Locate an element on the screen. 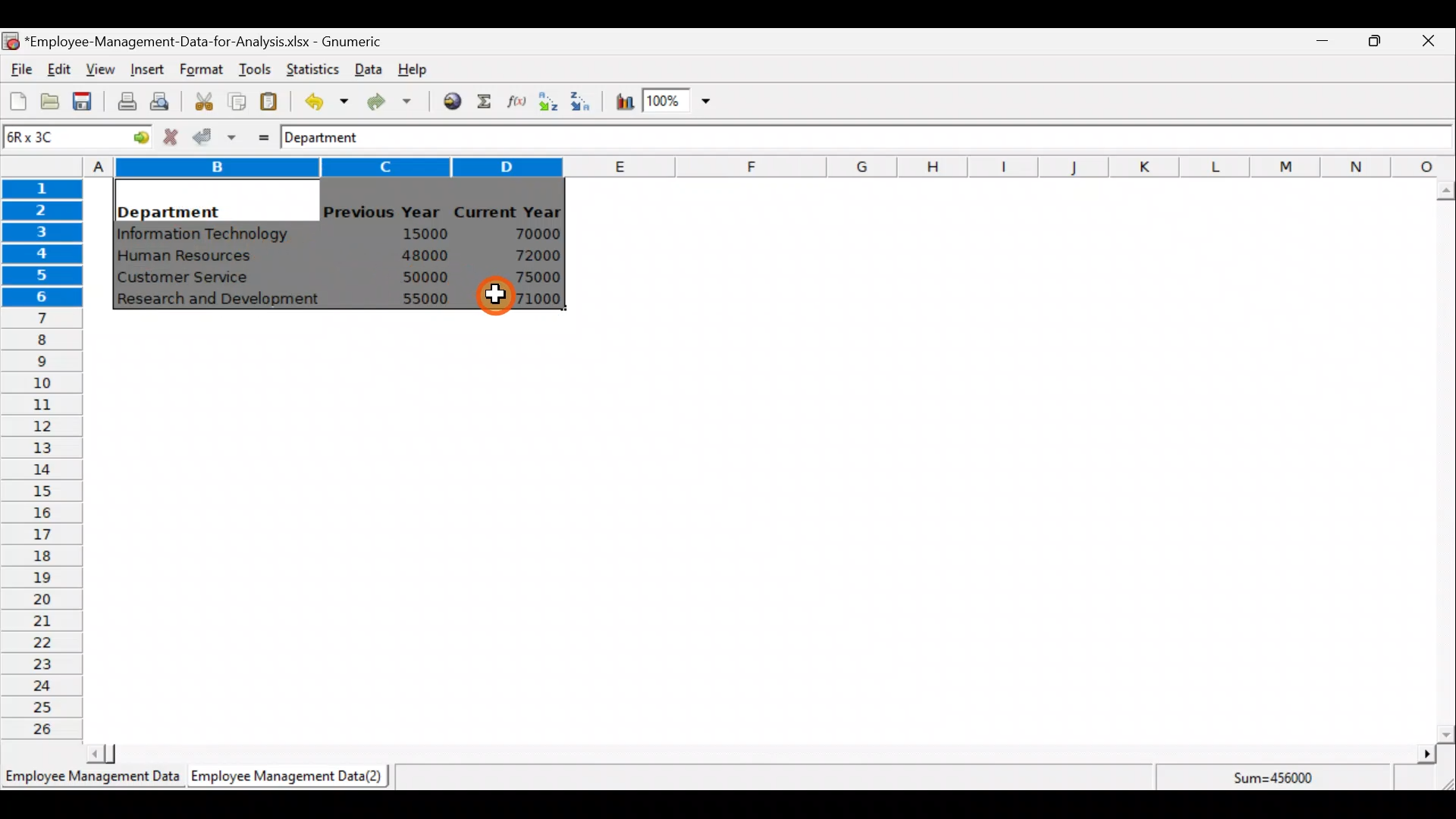  Cell name 6R x 3C is located at coordinates (50, 136).